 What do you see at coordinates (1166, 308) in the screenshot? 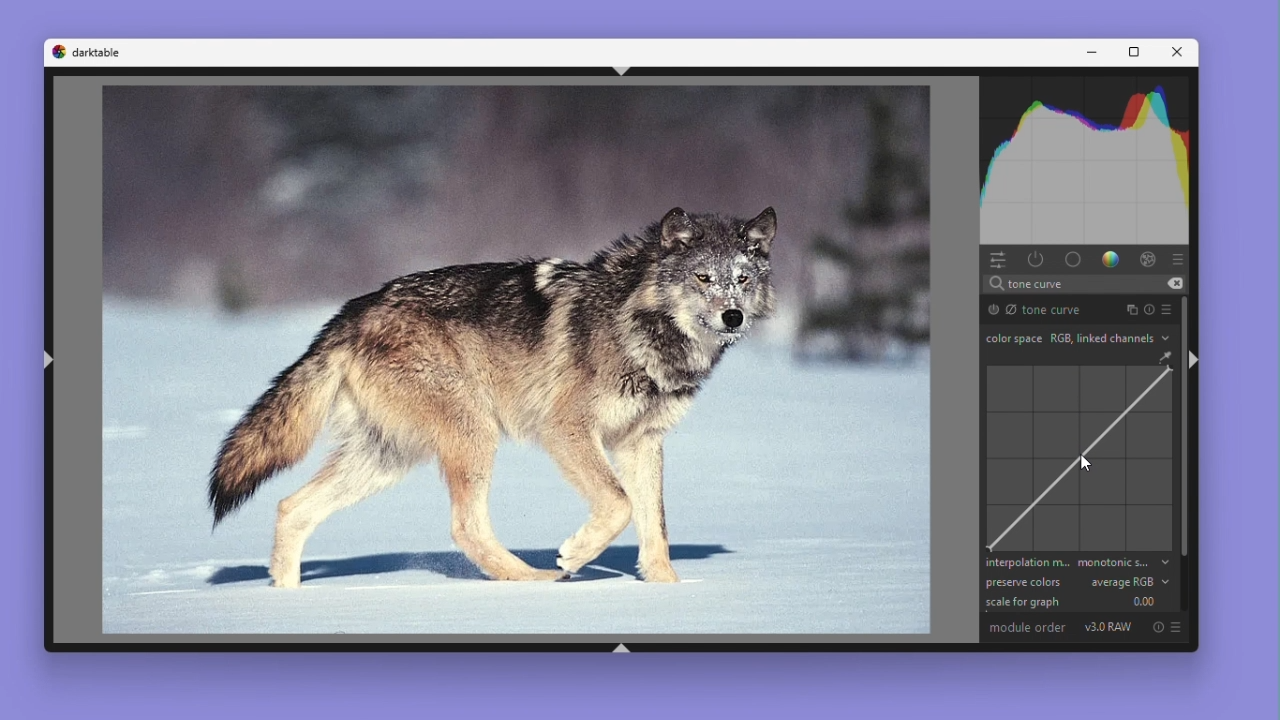
I see `preset` at bounding box center [1166, 308].